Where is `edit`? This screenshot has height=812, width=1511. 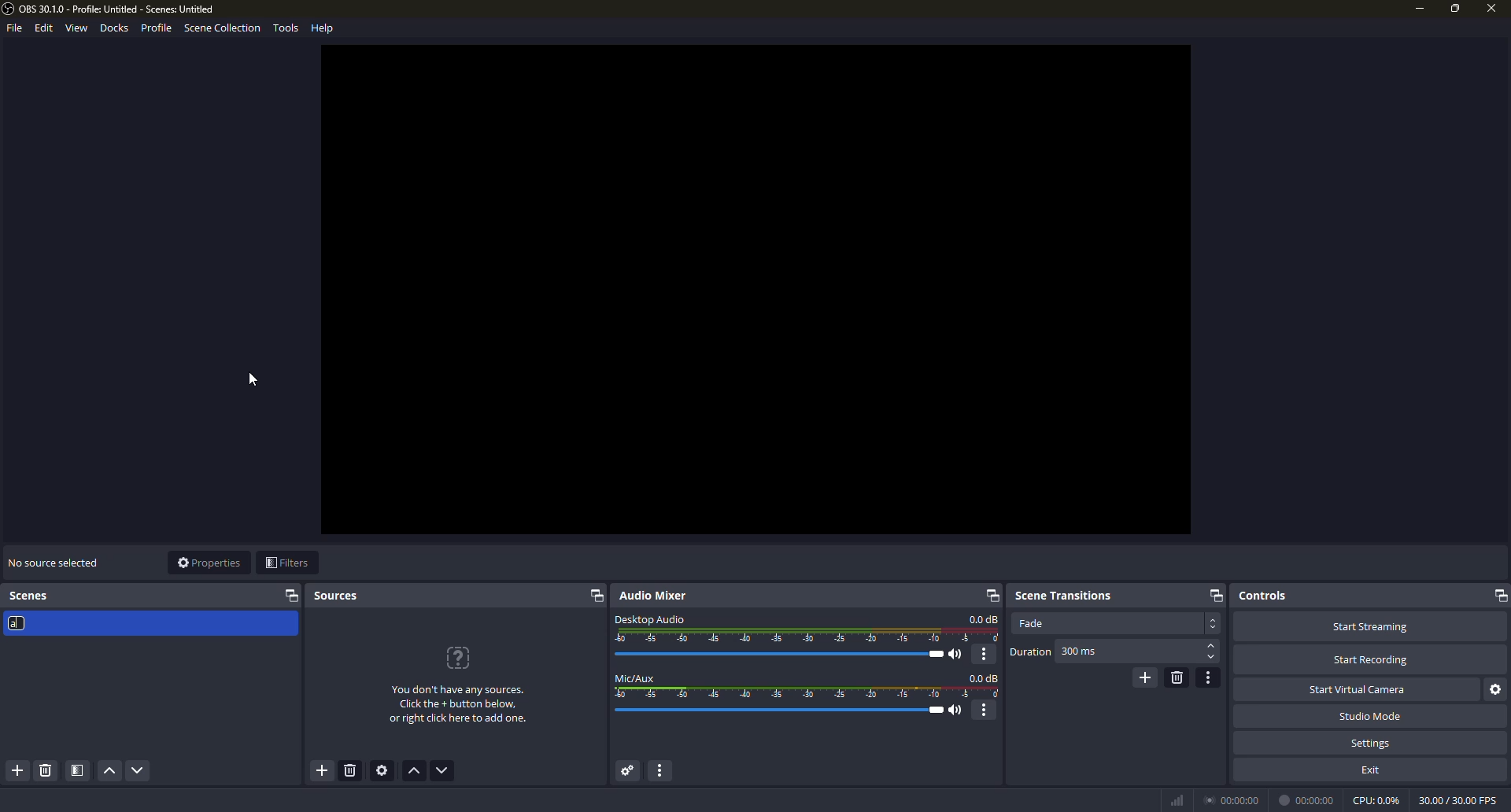
edit is located at coordinates (41, 28).